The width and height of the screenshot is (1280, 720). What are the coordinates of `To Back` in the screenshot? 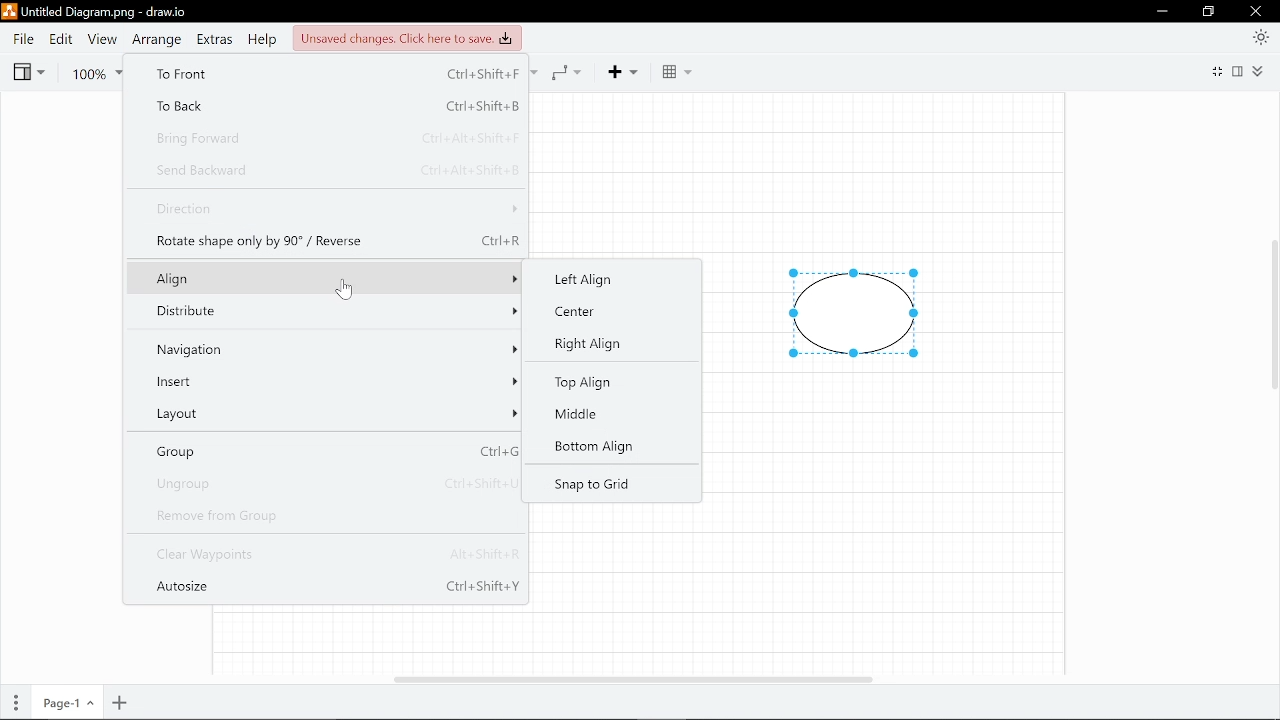 It's located at (326, 106).